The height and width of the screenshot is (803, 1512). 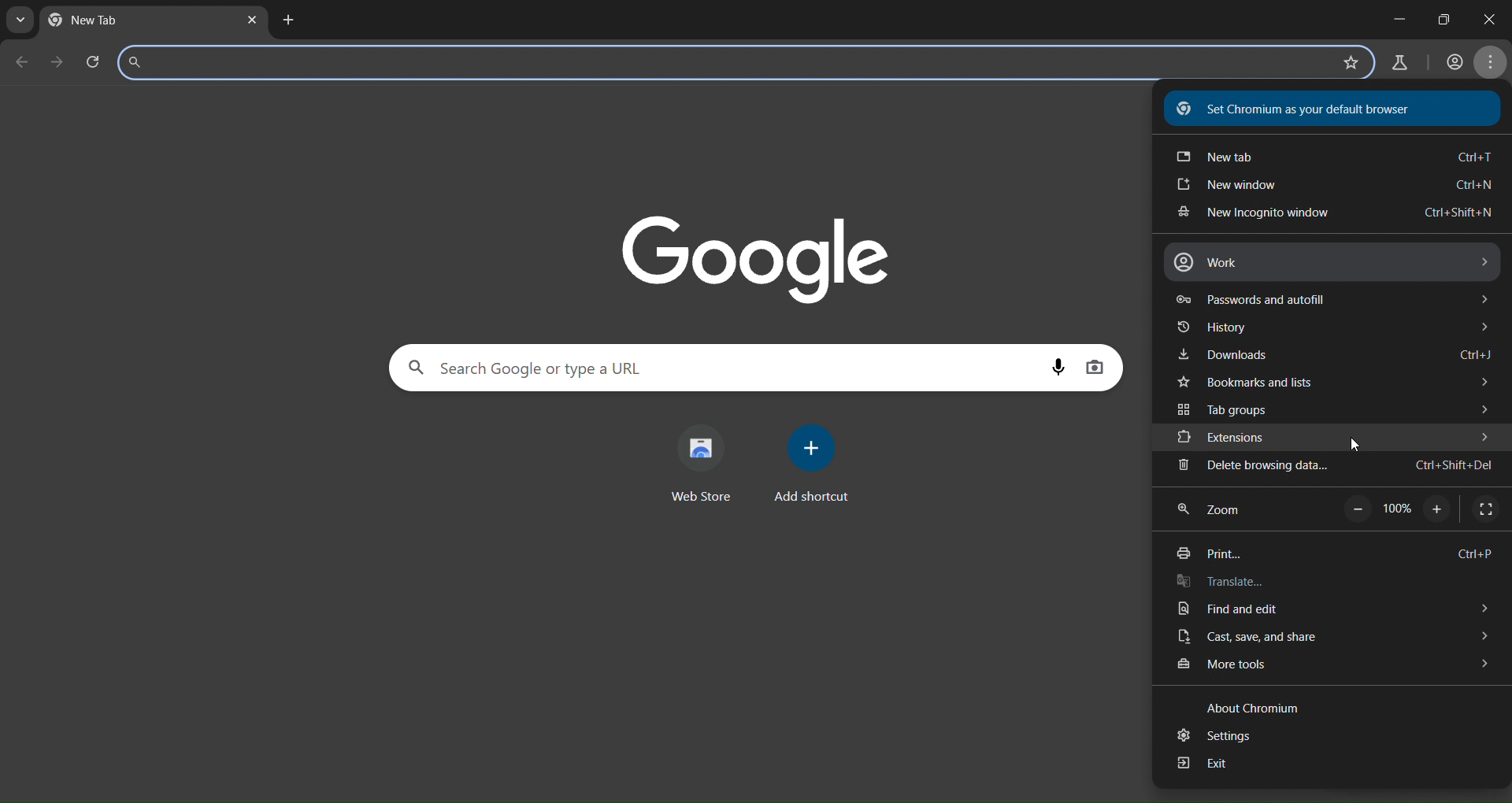 What do you see at coordinates (94, 61) in the screenshot?
I see `reload page` at bounding box center [94, 61].